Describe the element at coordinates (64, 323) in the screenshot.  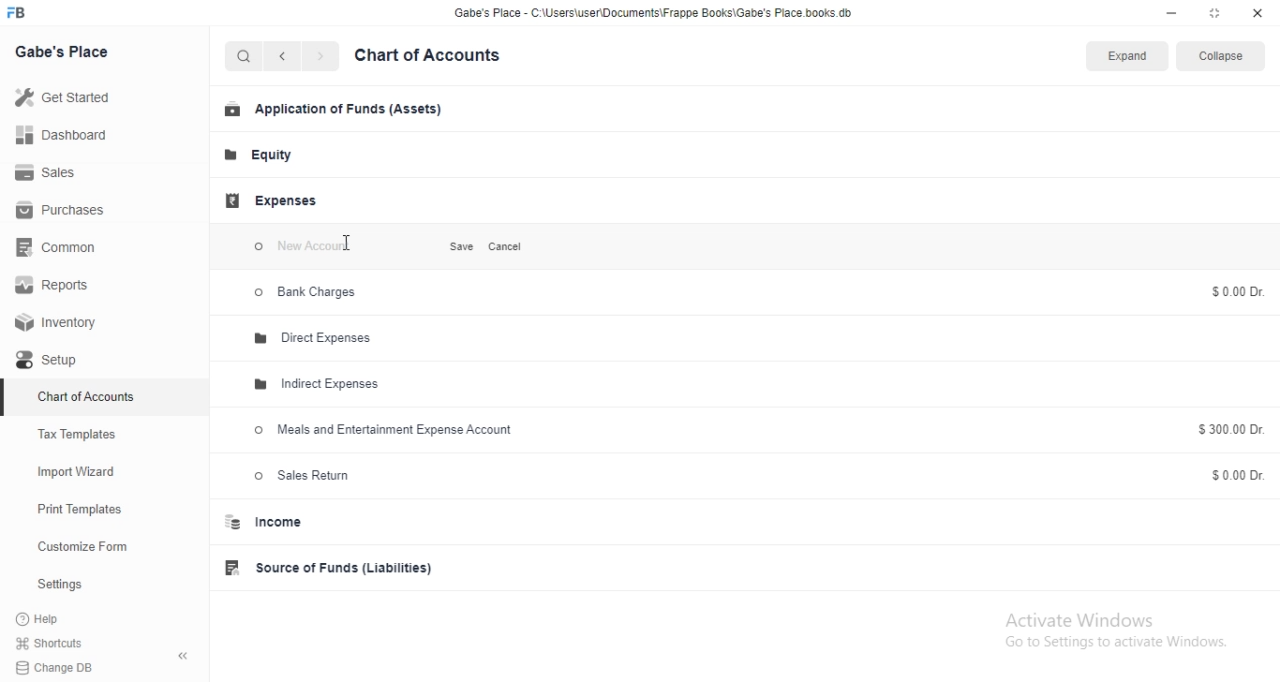
I see `Inventory` at that location.